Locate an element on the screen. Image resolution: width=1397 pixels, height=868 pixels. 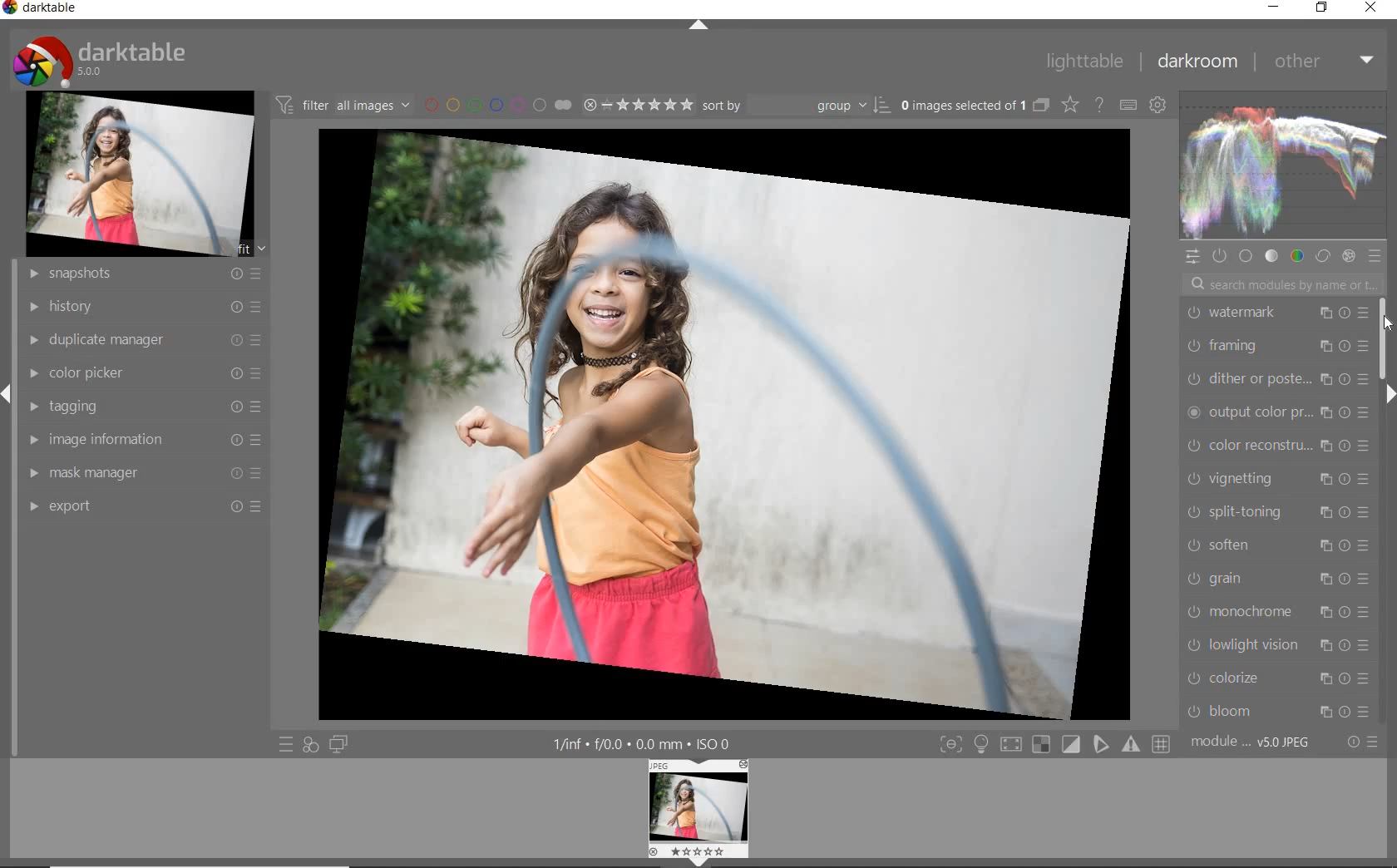
monochrome is located at coordinates (1279, 609).